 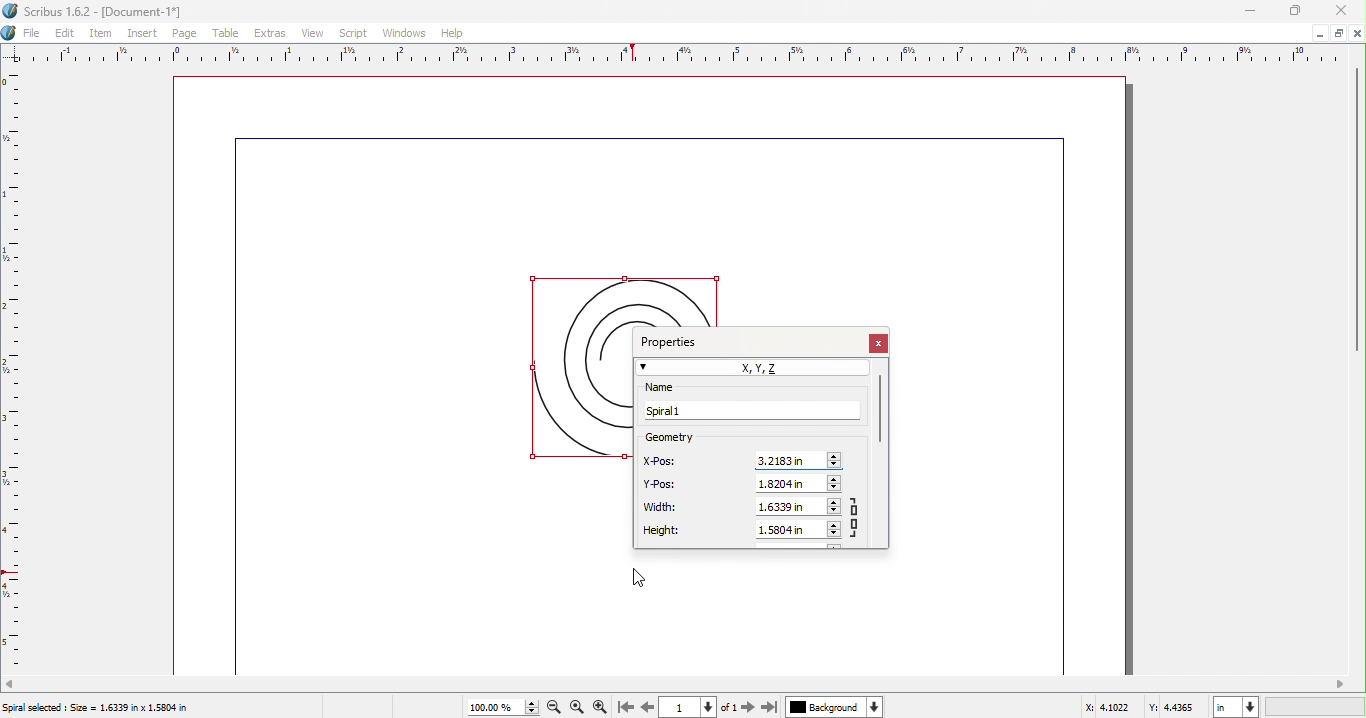 I want to click on Maximize, so click(x=1296, y=11).